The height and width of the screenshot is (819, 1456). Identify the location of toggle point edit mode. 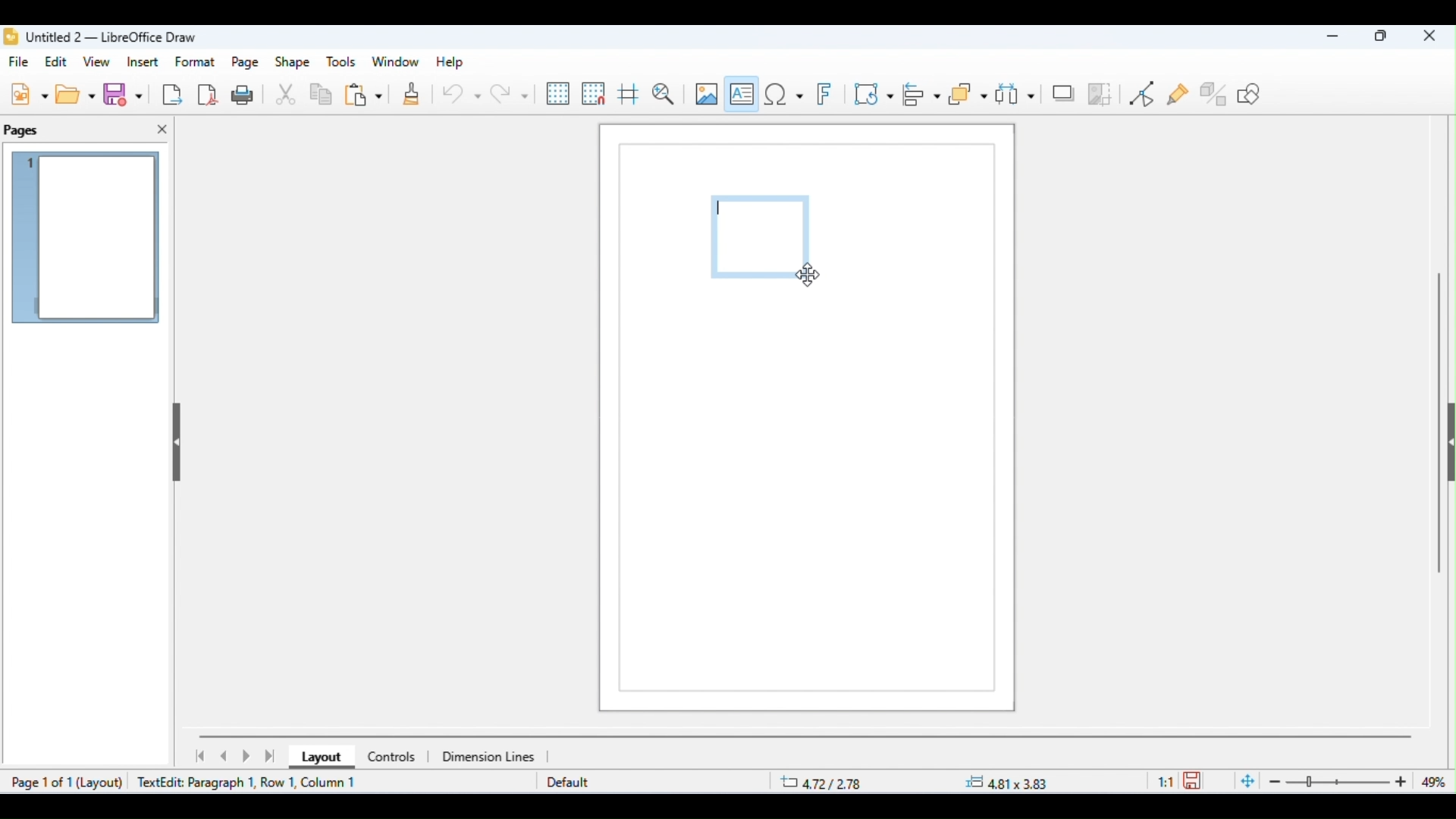
(1145, 94).